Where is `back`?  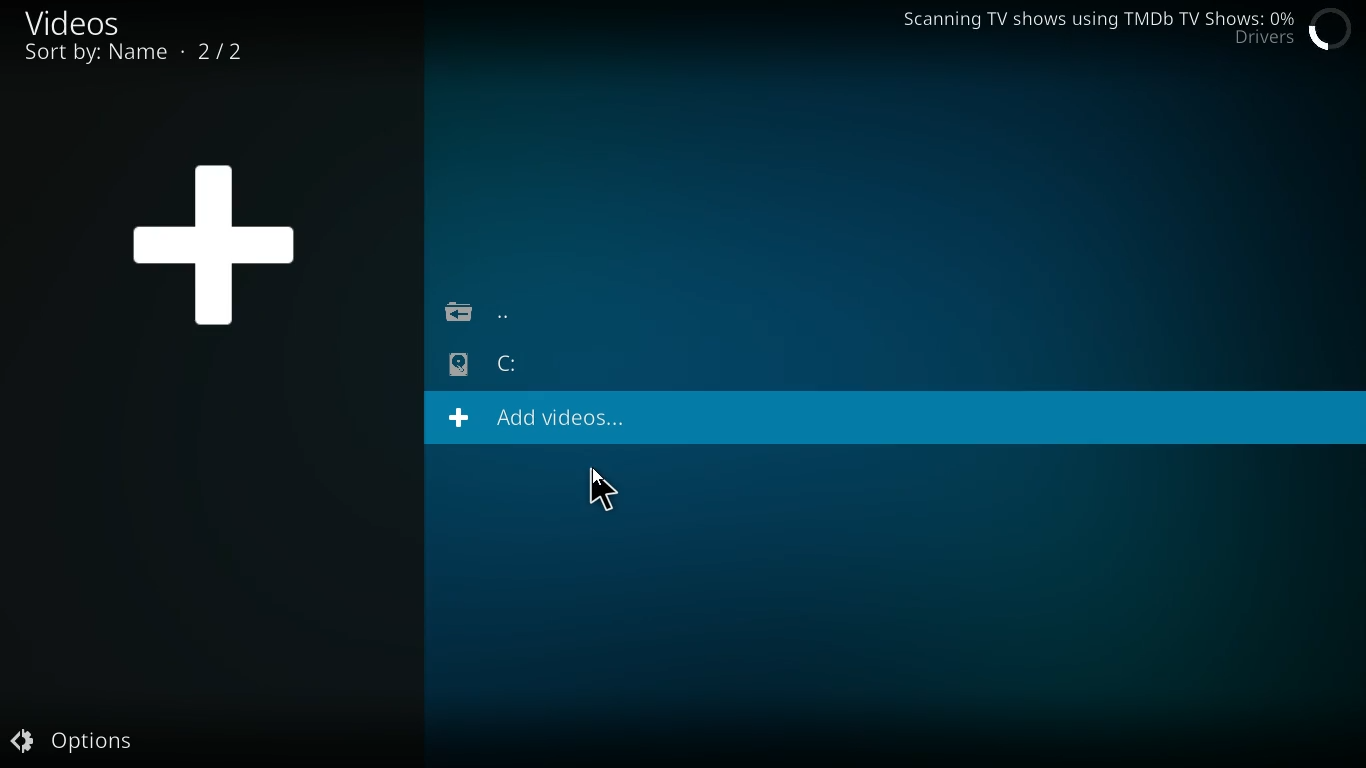
back is located at coordinates (484, 308).